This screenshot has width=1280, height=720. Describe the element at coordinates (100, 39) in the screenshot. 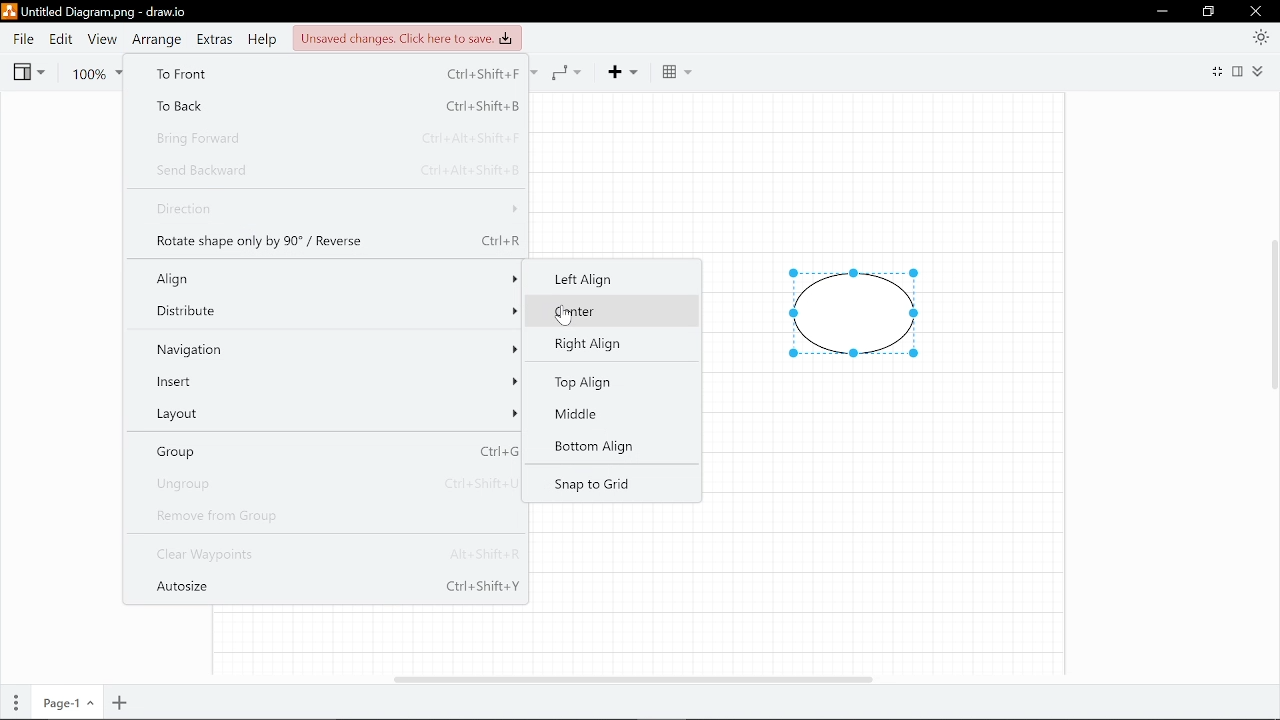

I see `View` at that location.